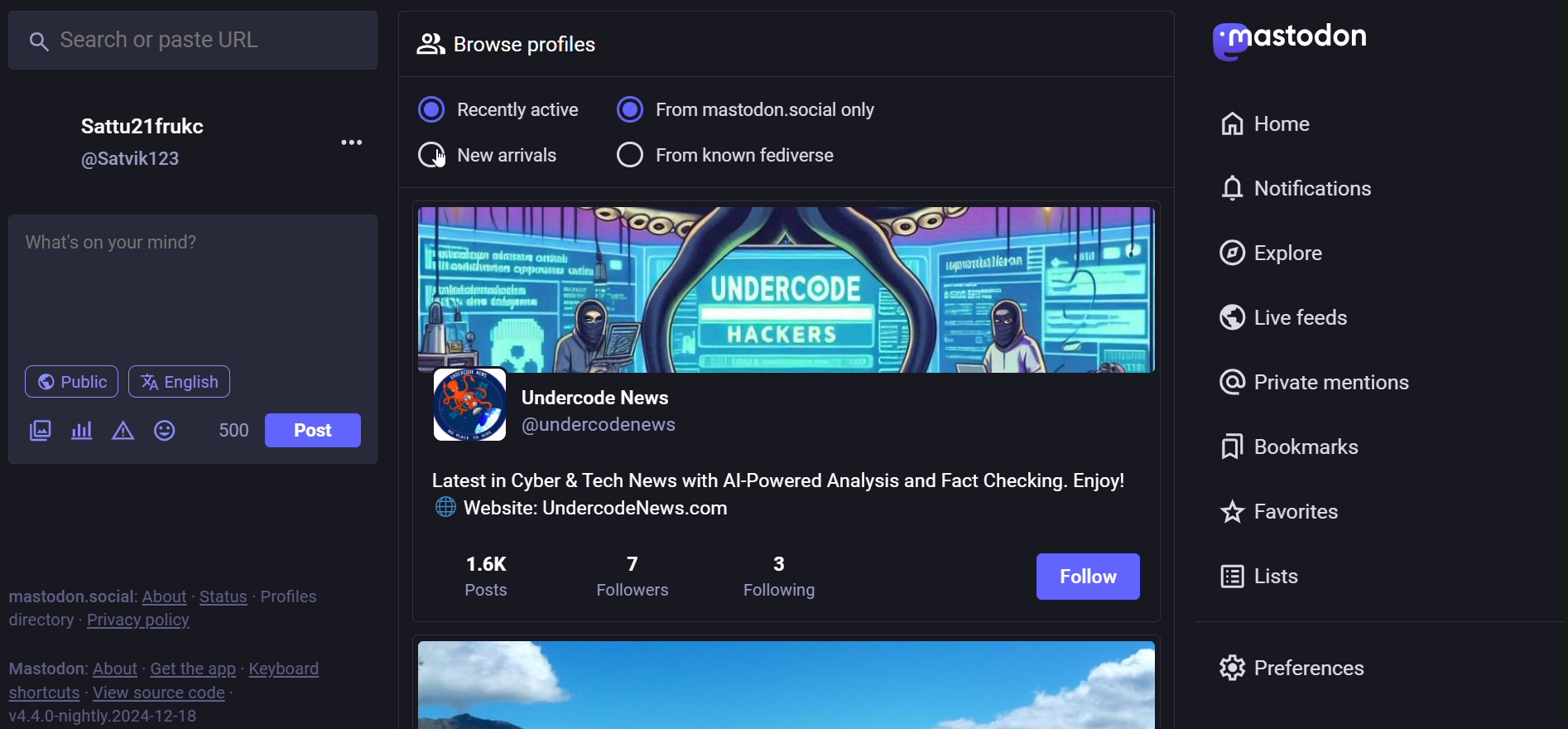  Describe the element at coordinates (1270, 576) in the screenshot. I see `list` at that location.